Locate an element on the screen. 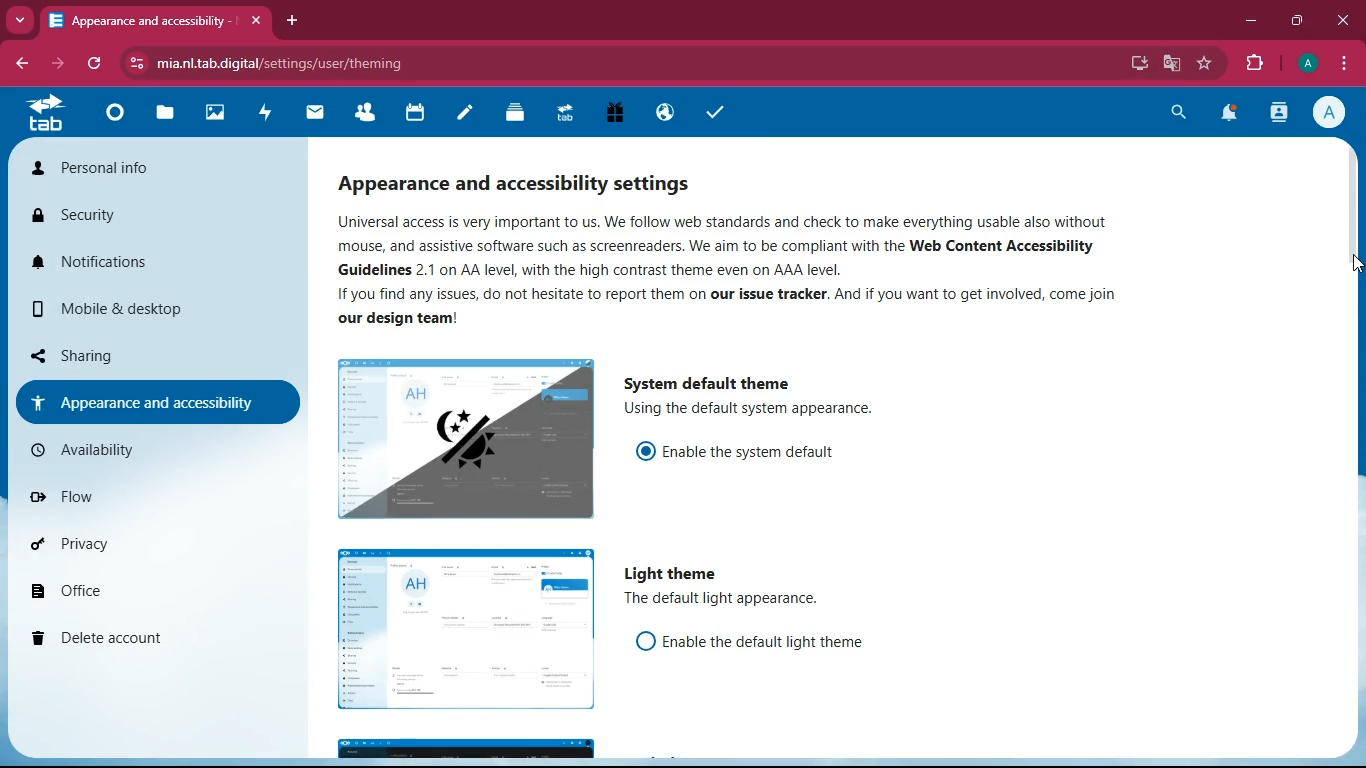  notes is located at coordinates (461, 115).